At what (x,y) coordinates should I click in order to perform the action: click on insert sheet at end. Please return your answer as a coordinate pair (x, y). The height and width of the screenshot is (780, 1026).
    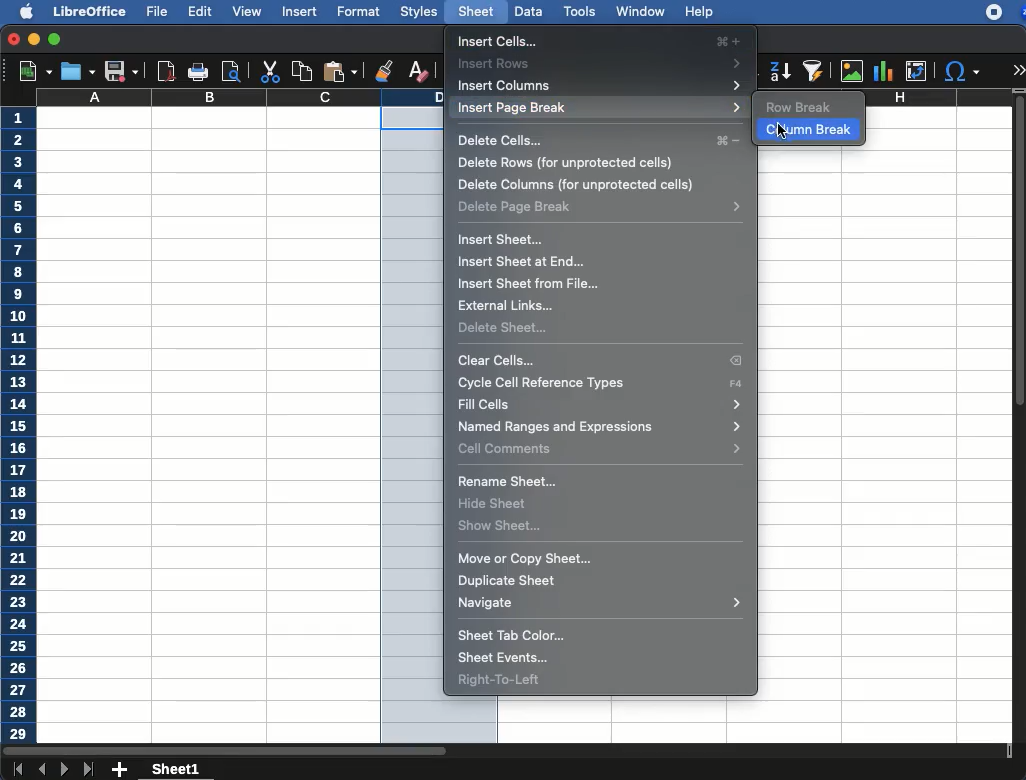
    Looking at the image, I should click on (524, 261).